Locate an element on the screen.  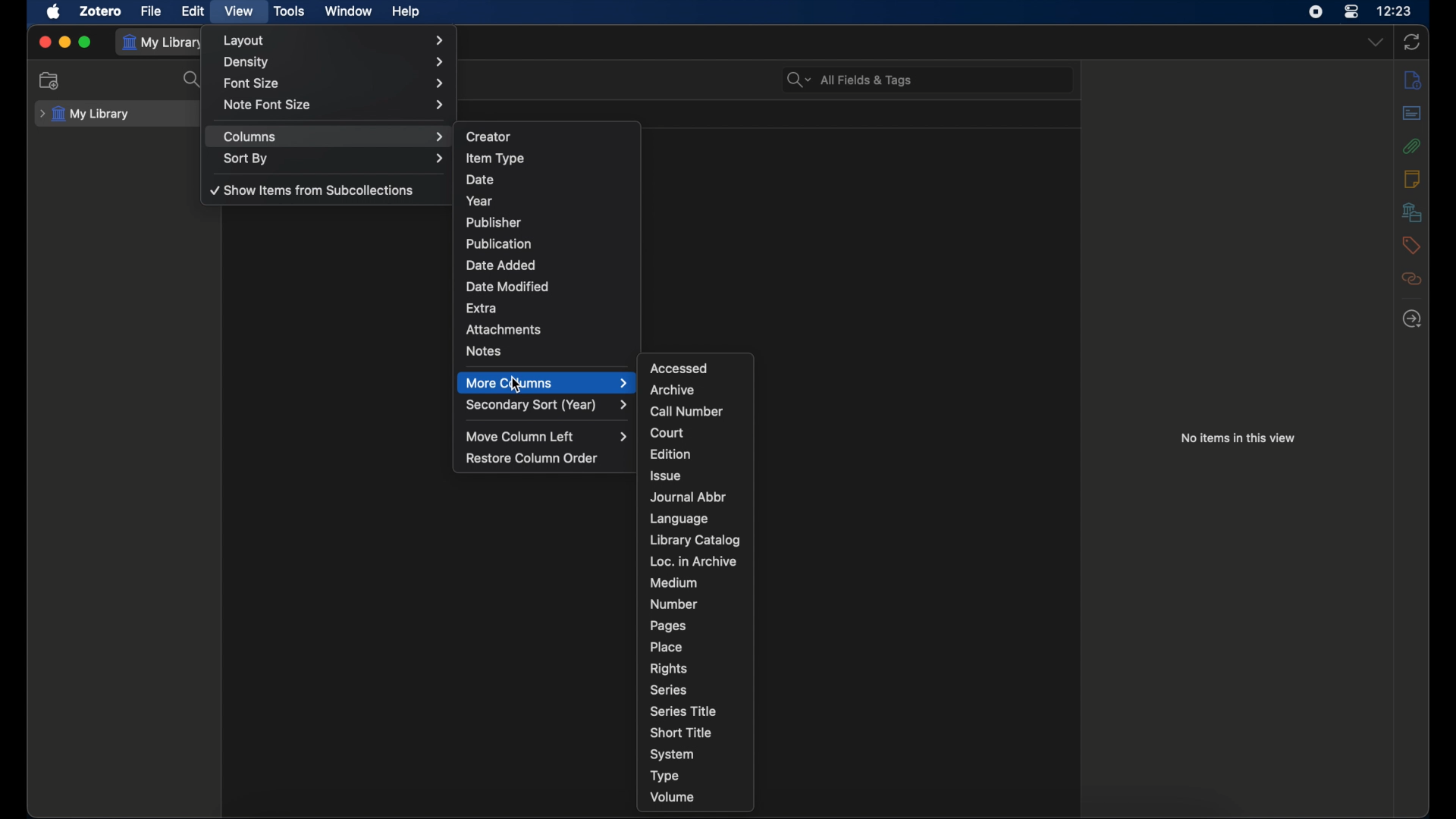
issue is located at coordinates (666, 475).